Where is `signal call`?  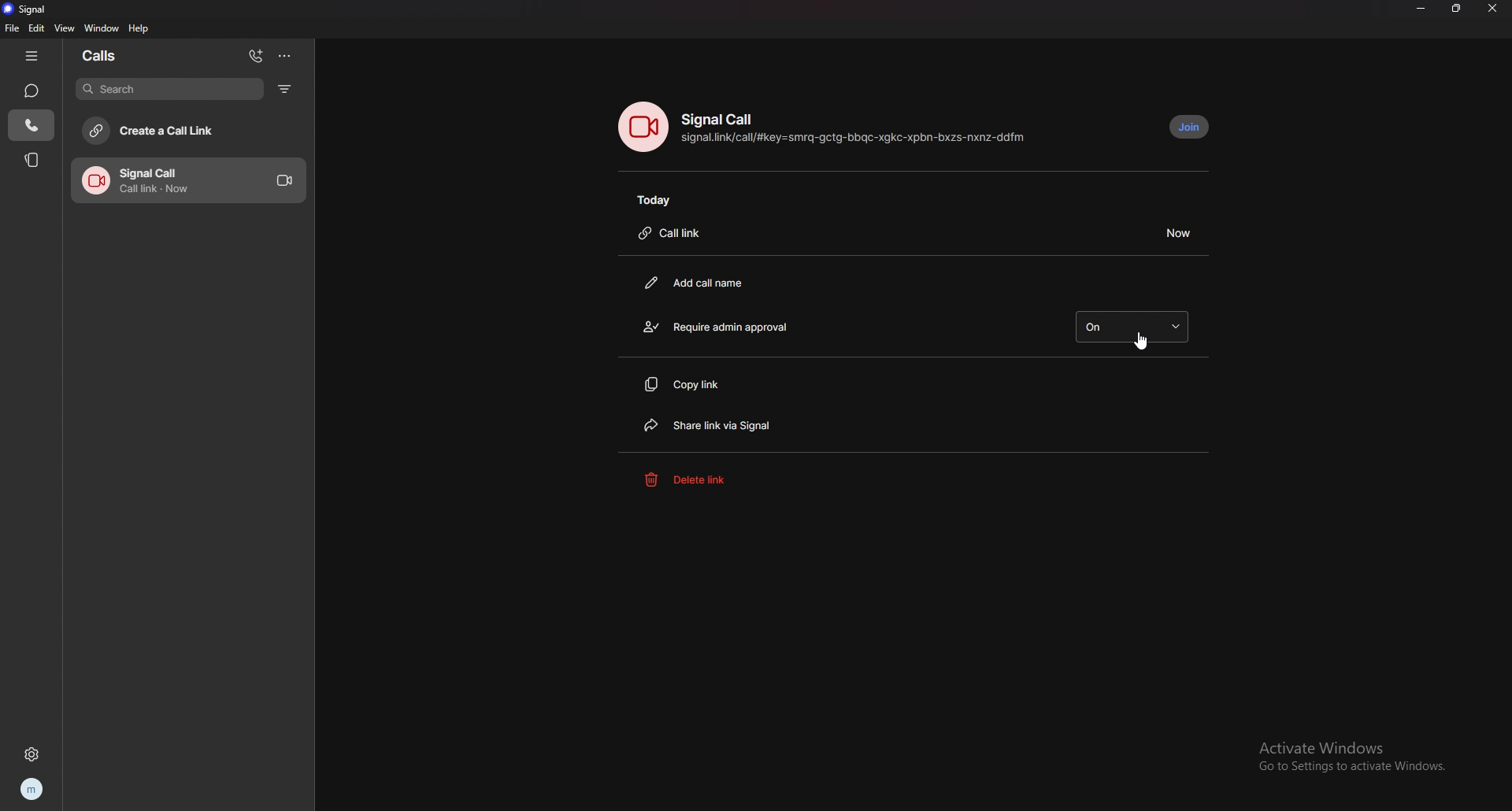 signal call is located at coordinates (719, 119).